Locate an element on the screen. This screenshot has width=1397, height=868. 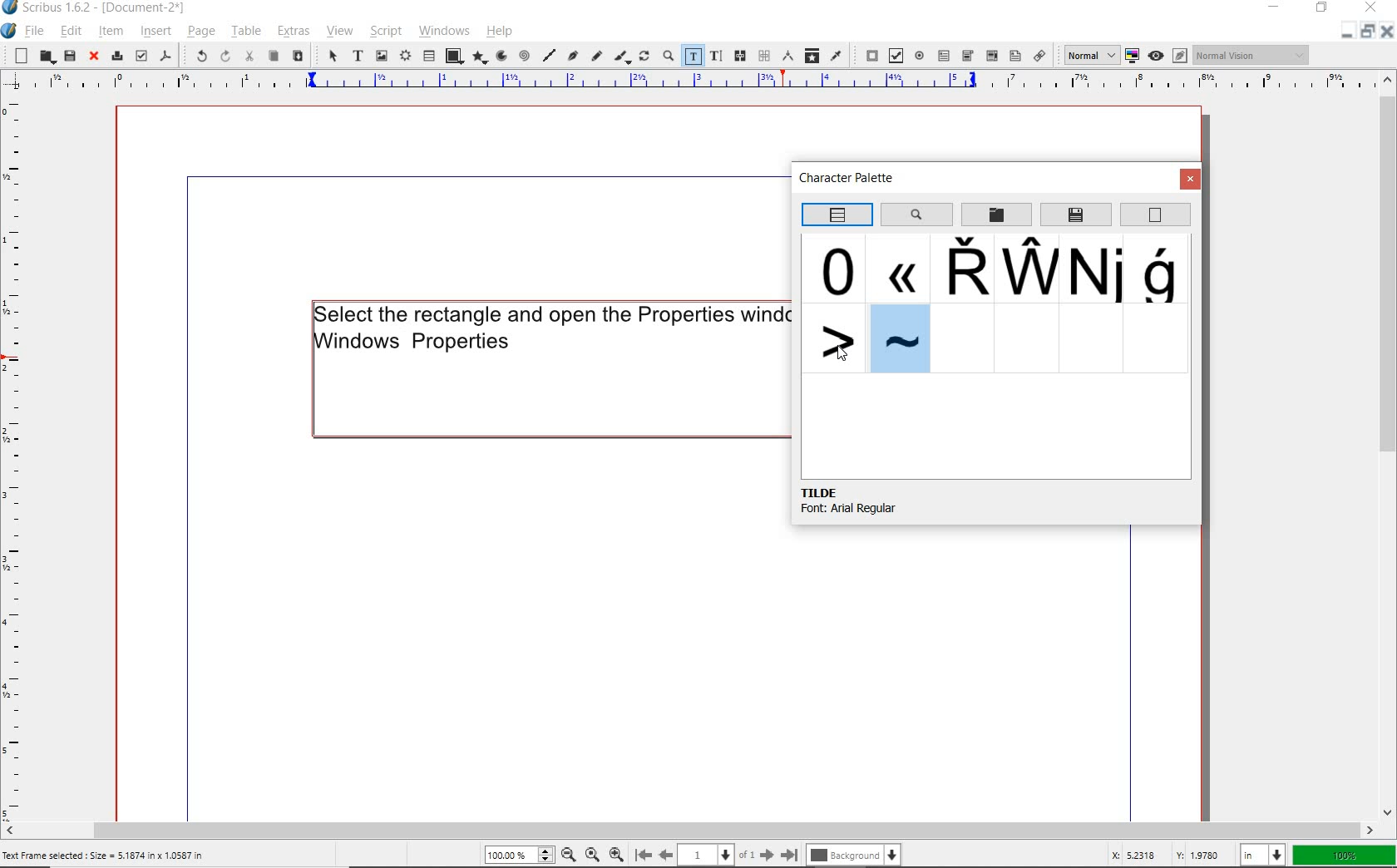
glyphs is located at coordinates (834, 339).